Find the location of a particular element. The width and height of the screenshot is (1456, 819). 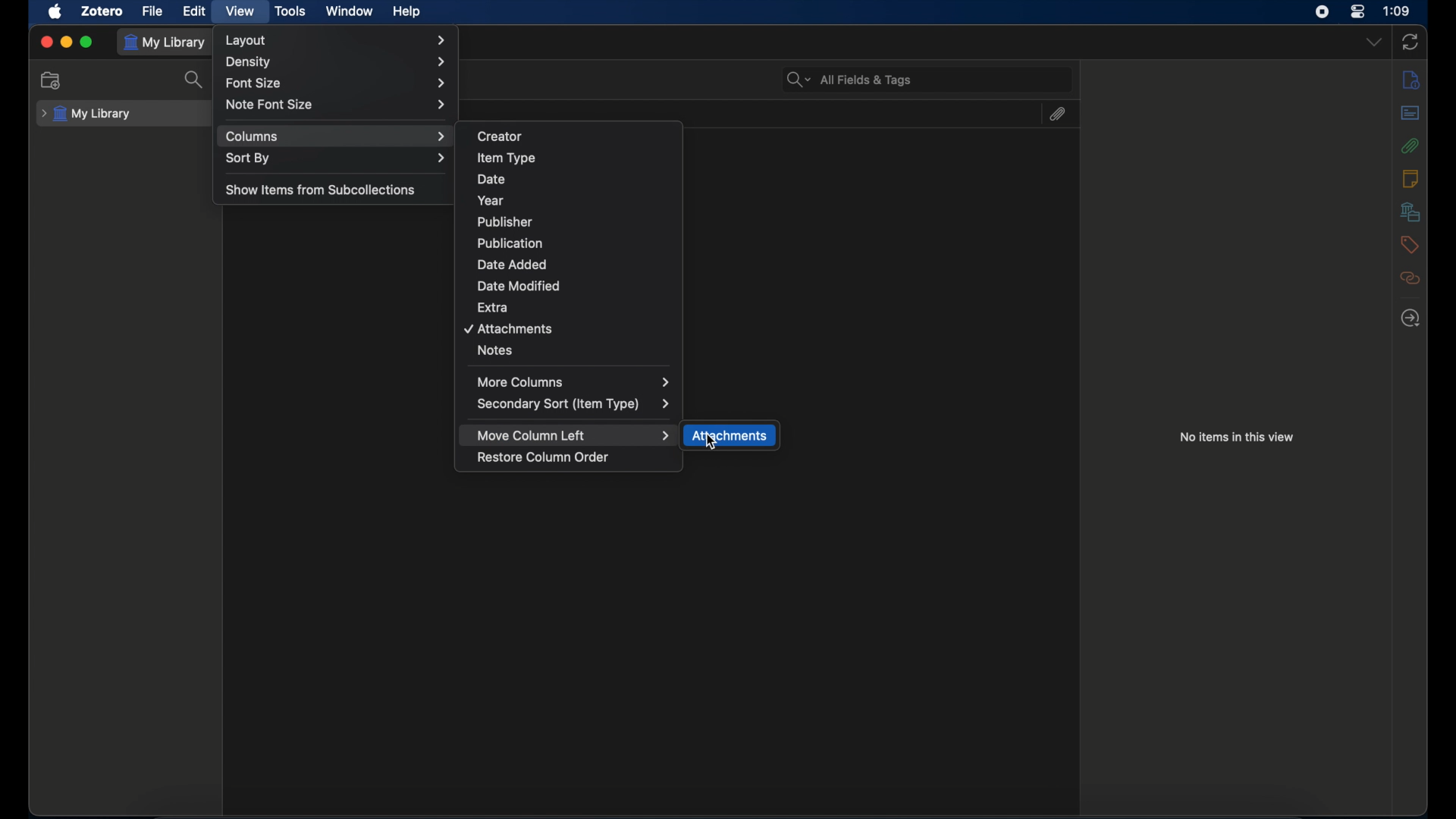

file is located at coordinates (153, 11).